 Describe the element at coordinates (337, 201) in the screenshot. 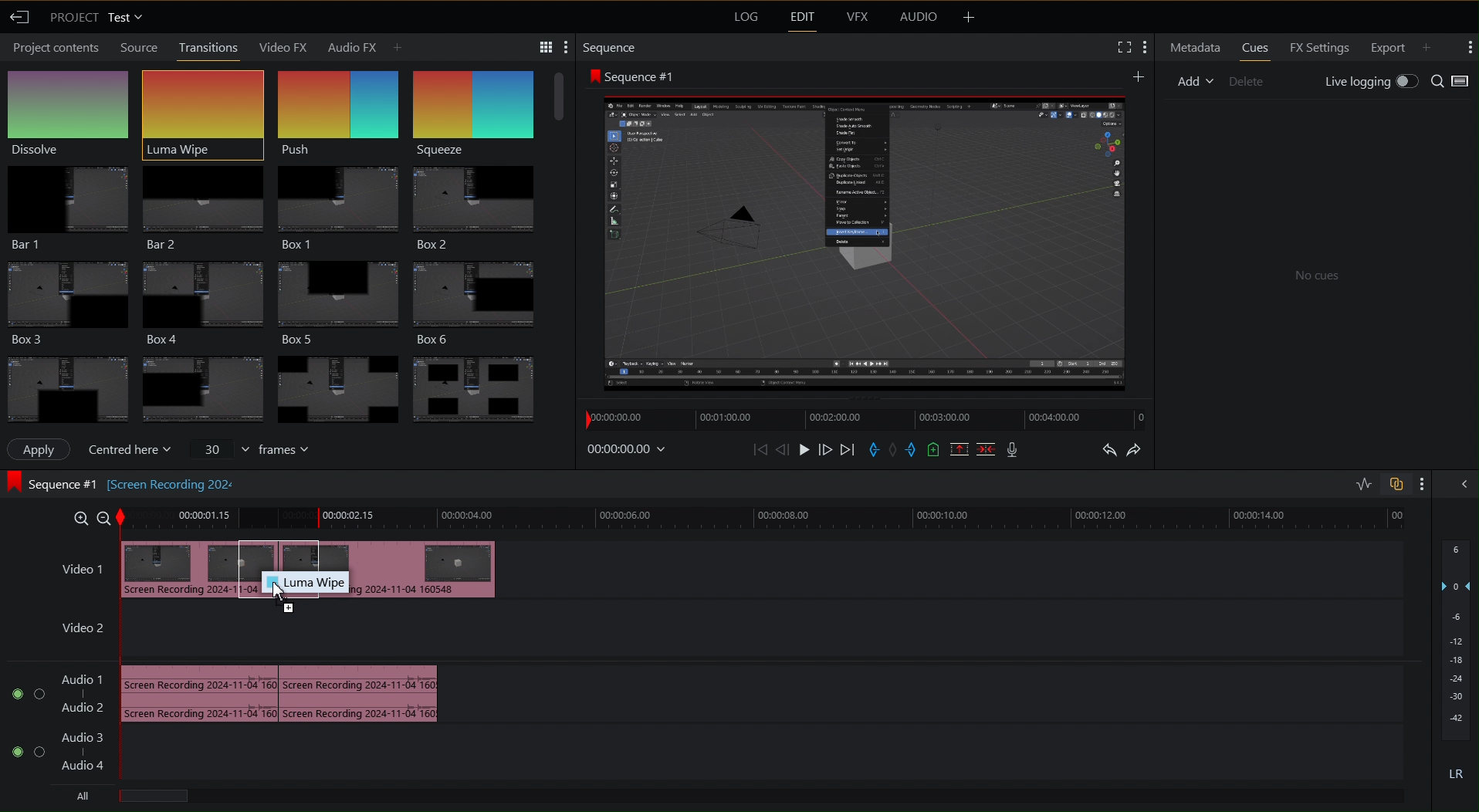

I see `Box 1` at that location.